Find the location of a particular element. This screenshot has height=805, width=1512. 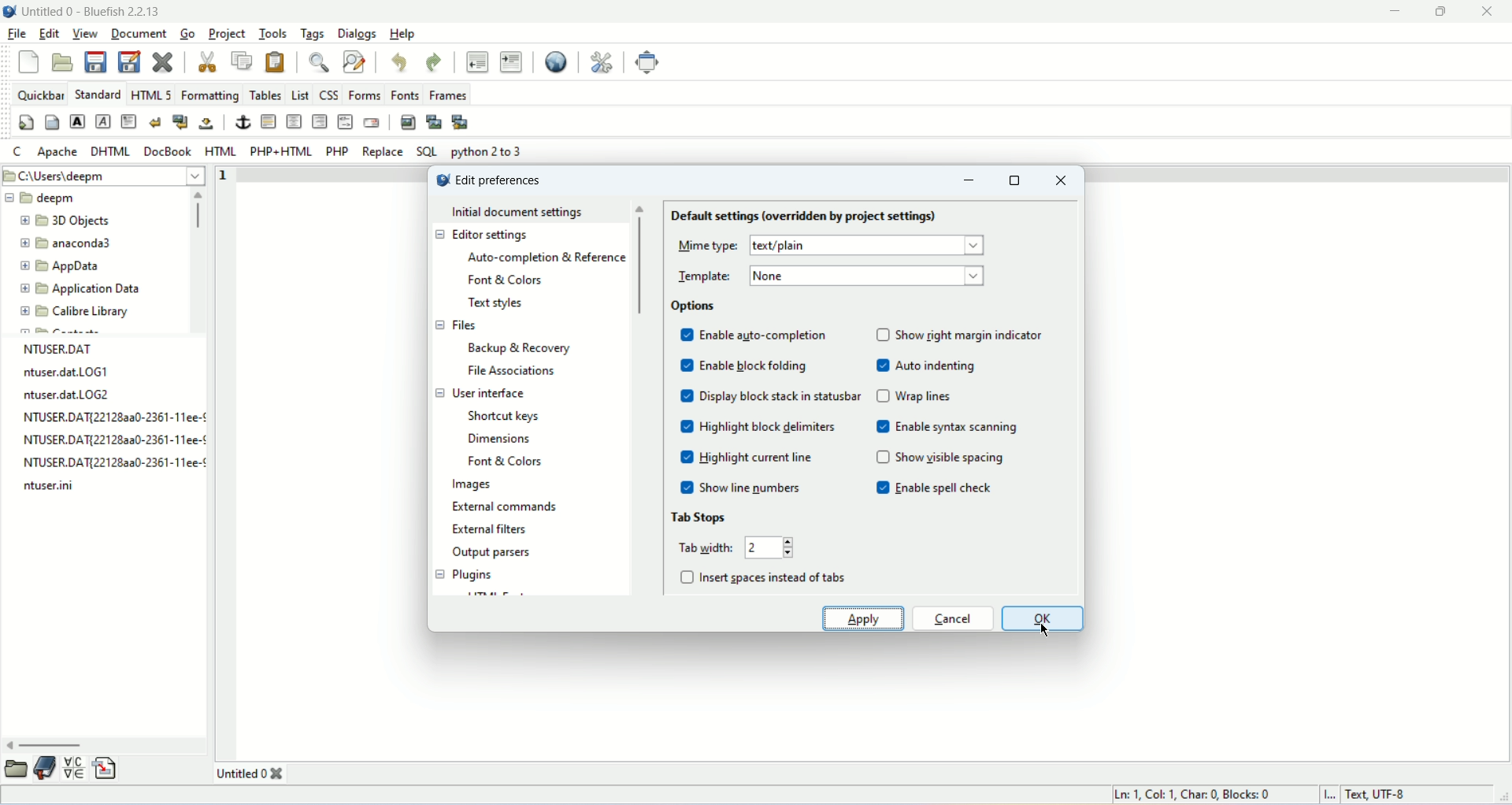

ntuser.ini is located at coordinates (56, 488).